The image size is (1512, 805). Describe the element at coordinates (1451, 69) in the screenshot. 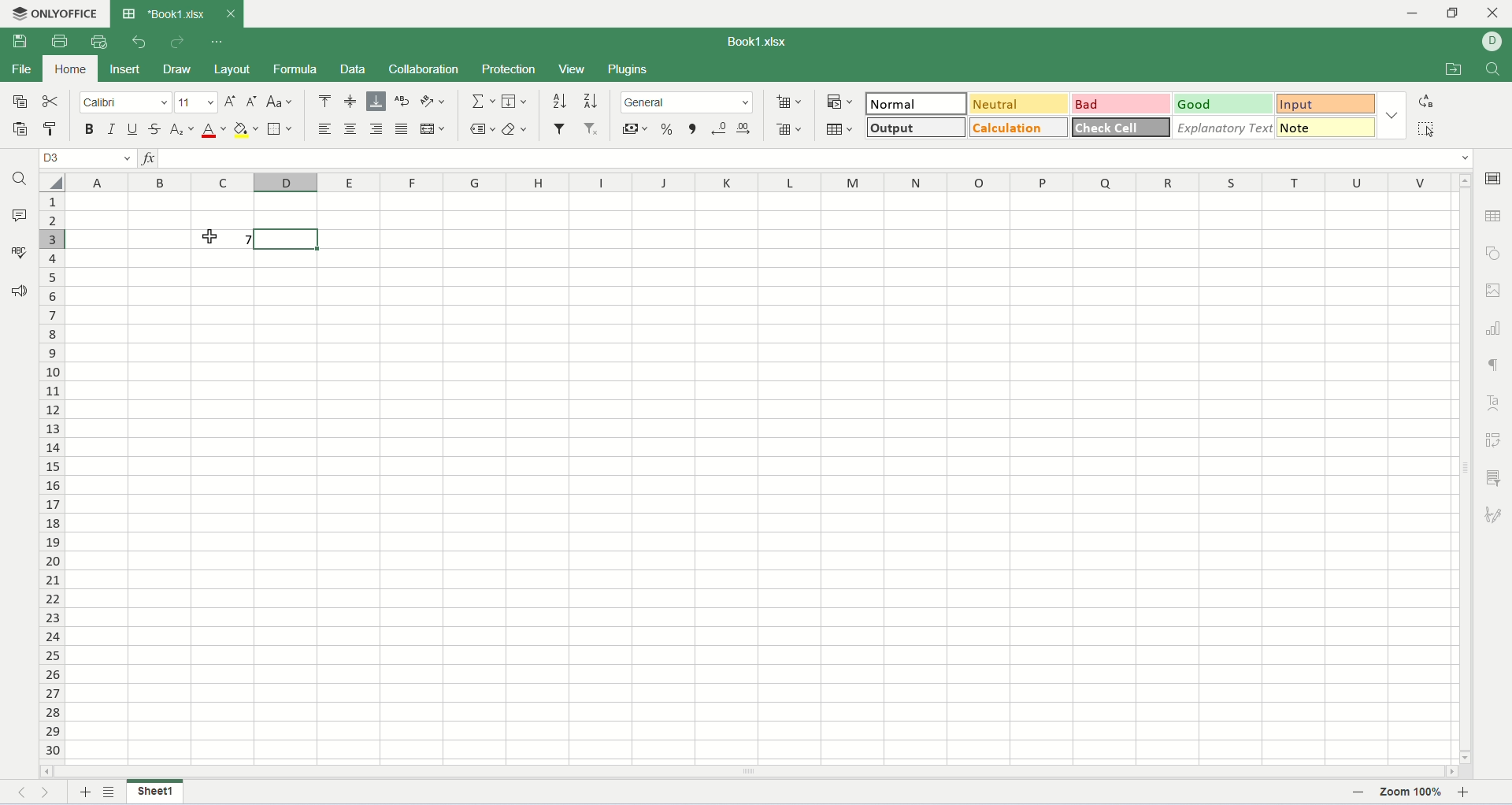

I see `open file` at that location.